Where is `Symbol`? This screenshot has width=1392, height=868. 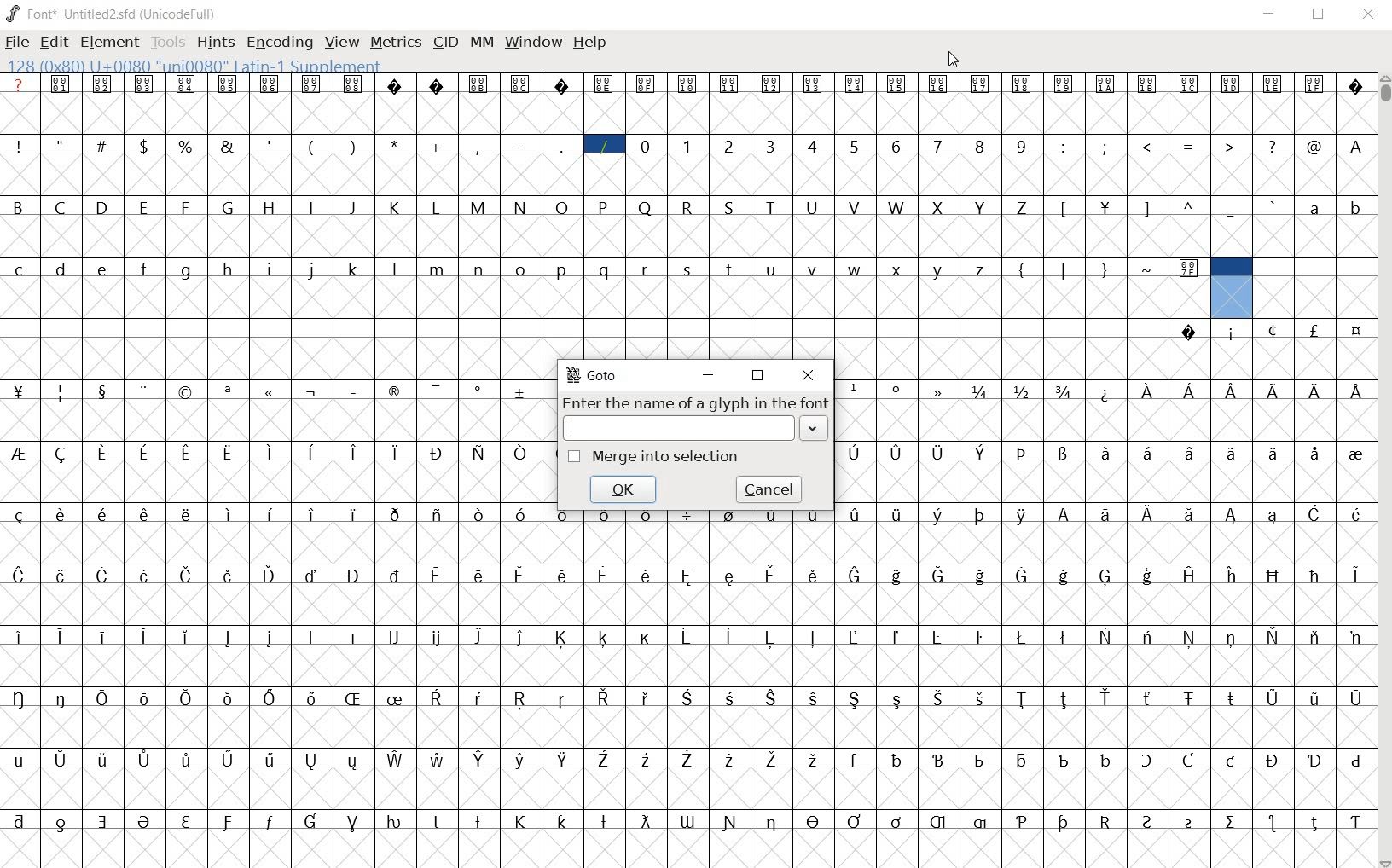 Symbol is located at coordinates (644, 636).